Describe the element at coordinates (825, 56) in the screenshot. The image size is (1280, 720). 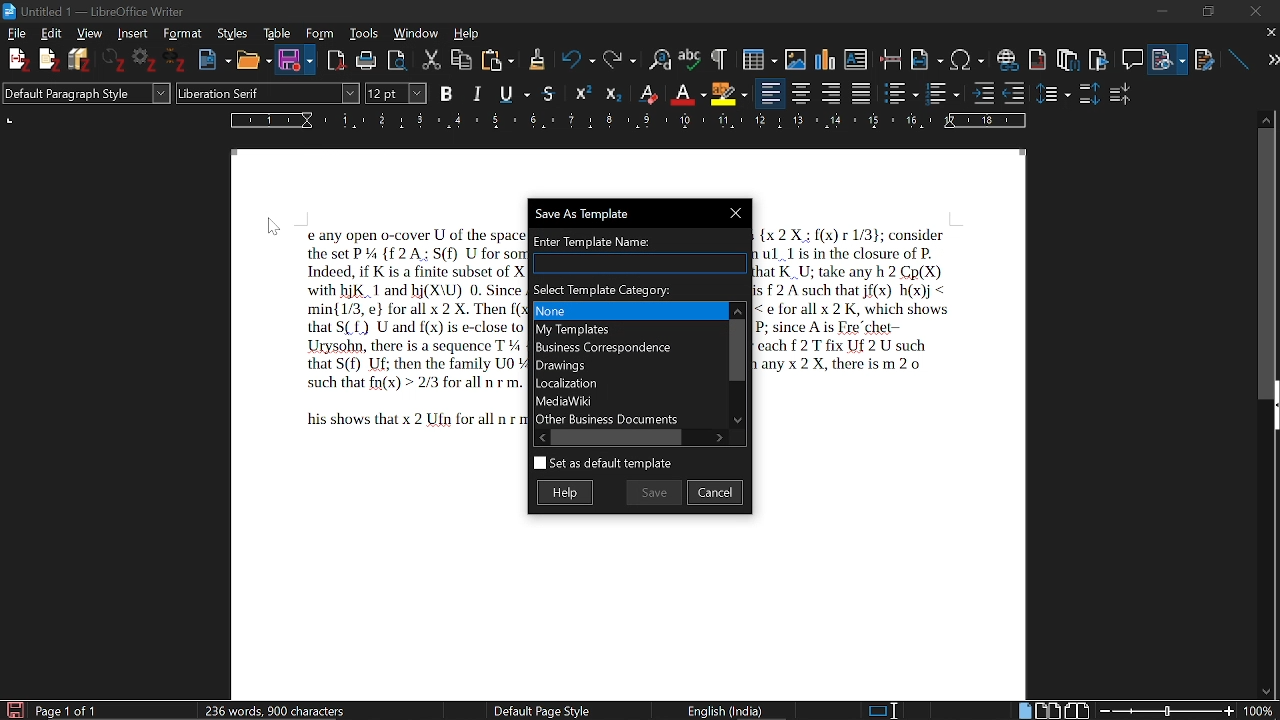
I see `Insert diagram` at that location.